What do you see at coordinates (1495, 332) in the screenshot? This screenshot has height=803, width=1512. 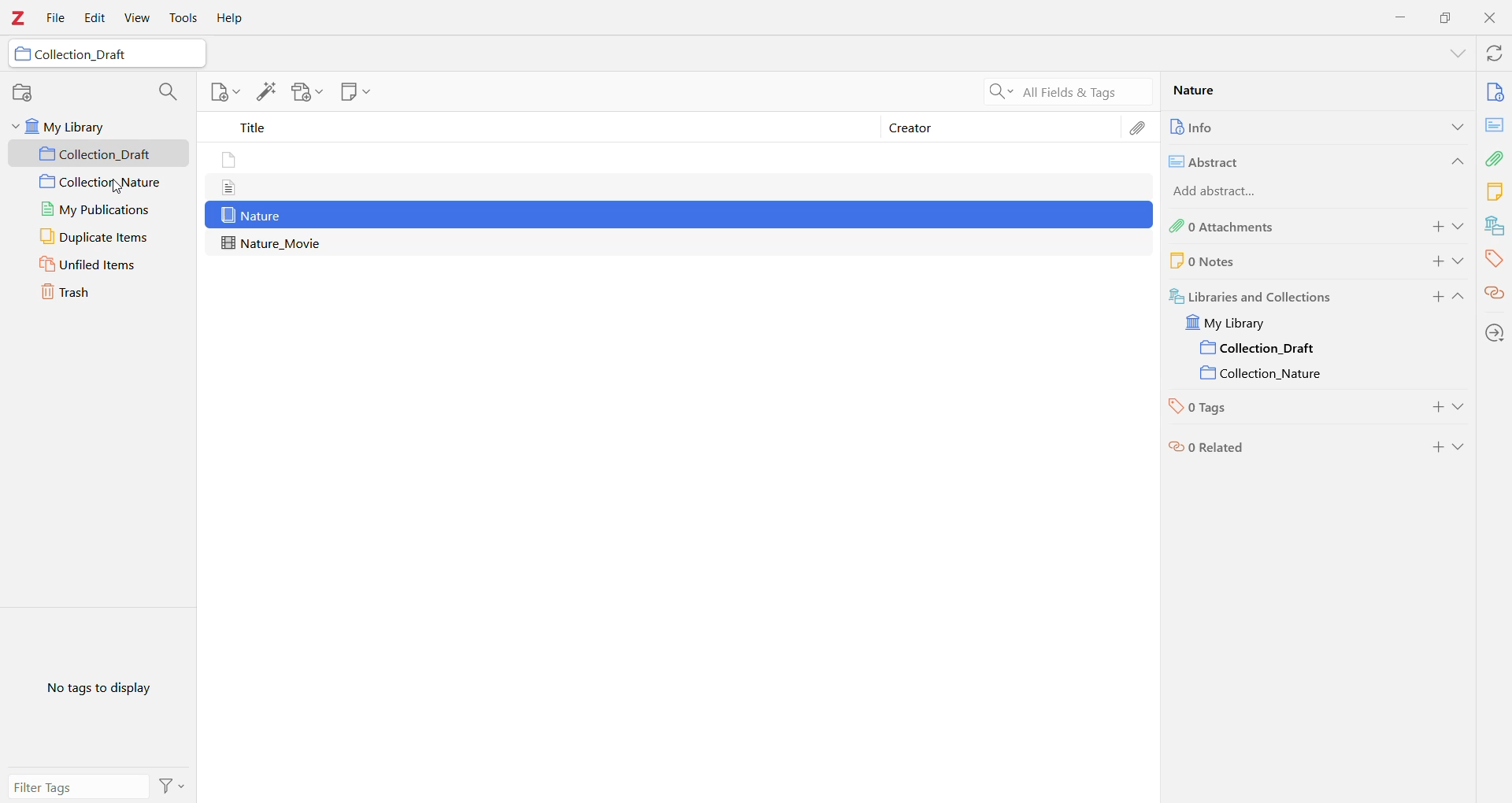 I see `Locate` at bounding box center [1495, 332].